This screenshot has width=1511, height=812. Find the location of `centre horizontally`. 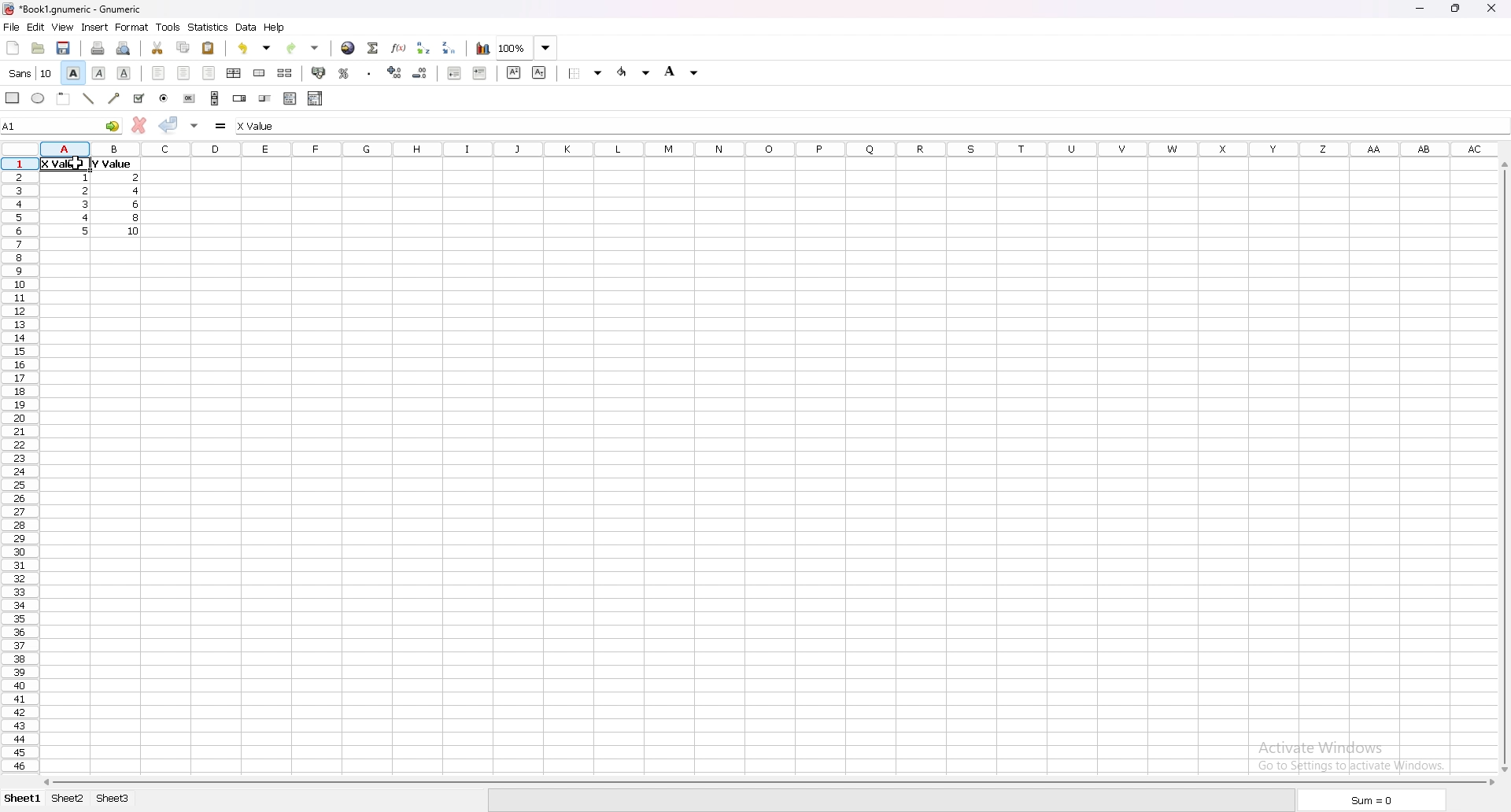

centre horizontally is located at coordinates (235, 72).